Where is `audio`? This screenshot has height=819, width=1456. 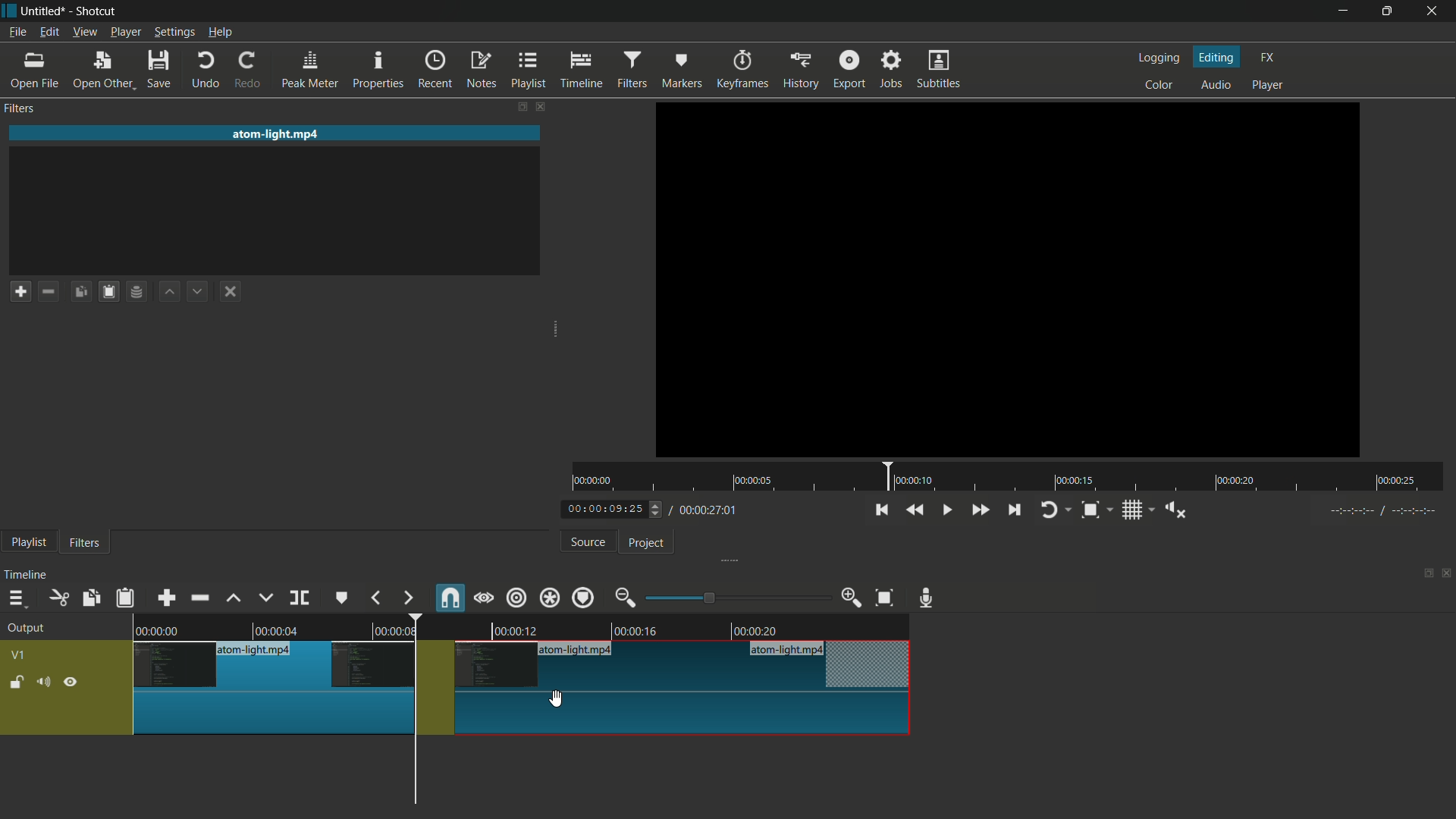
audio is located at coordinates (1217, 84).